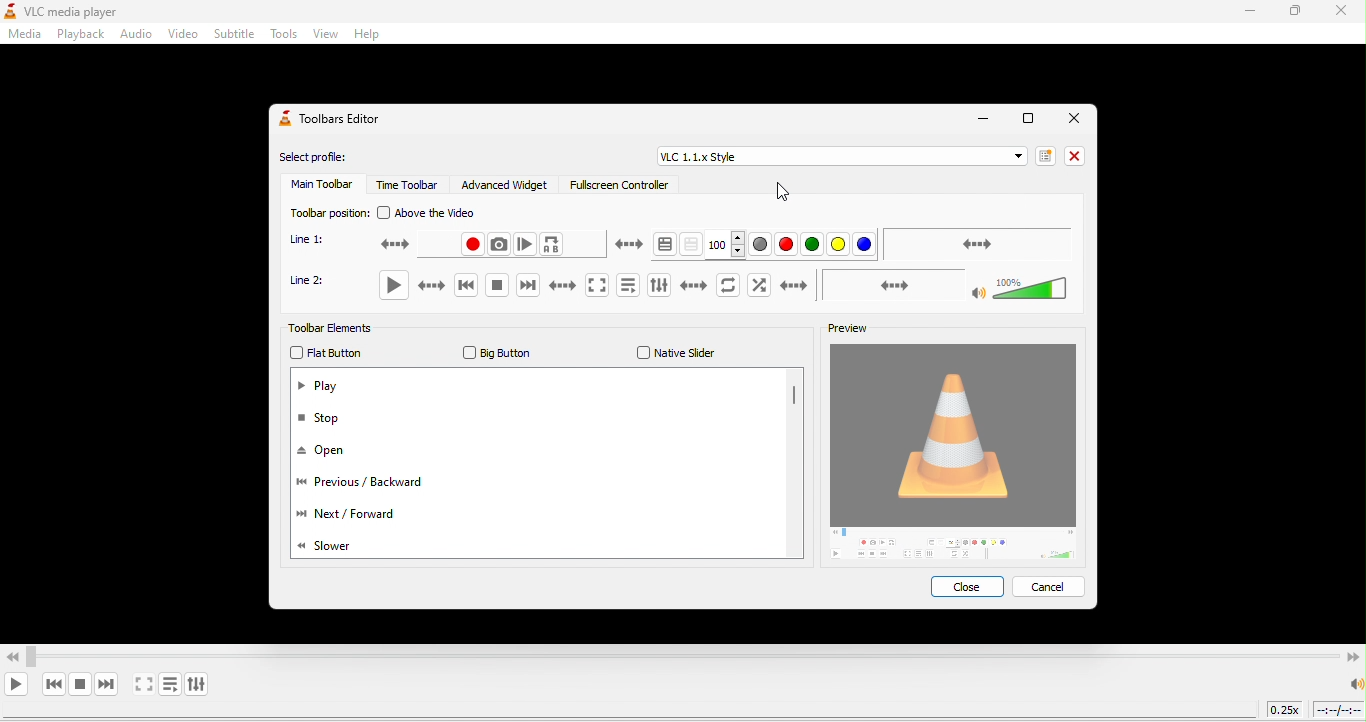 This screenshot has height=722, width=1366. What do you see at coordinates (109, 684) in the screenshot?
I see `next media` at bounding box center [109, 684].